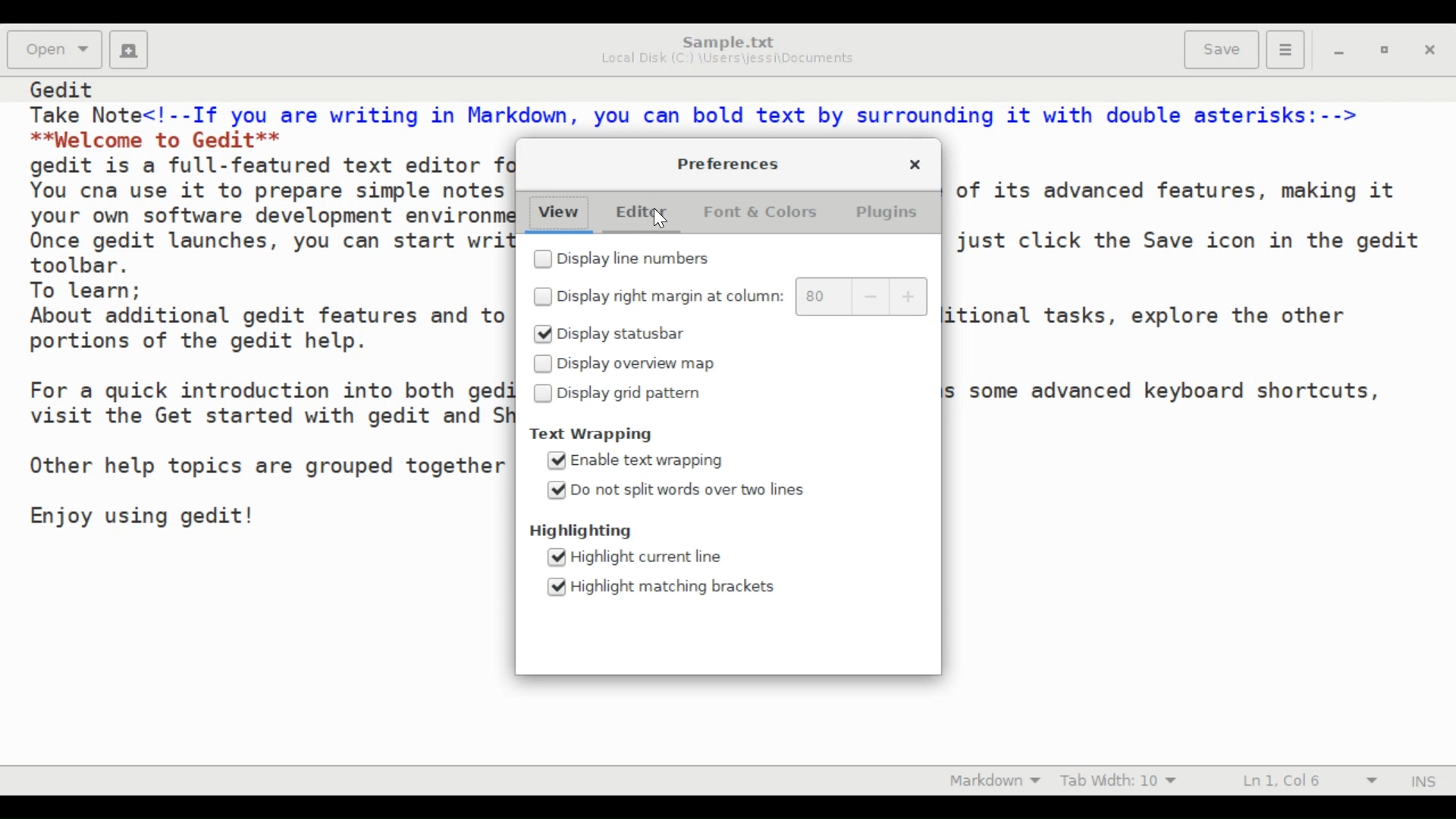  I want to click on Open, so click(55, 49).